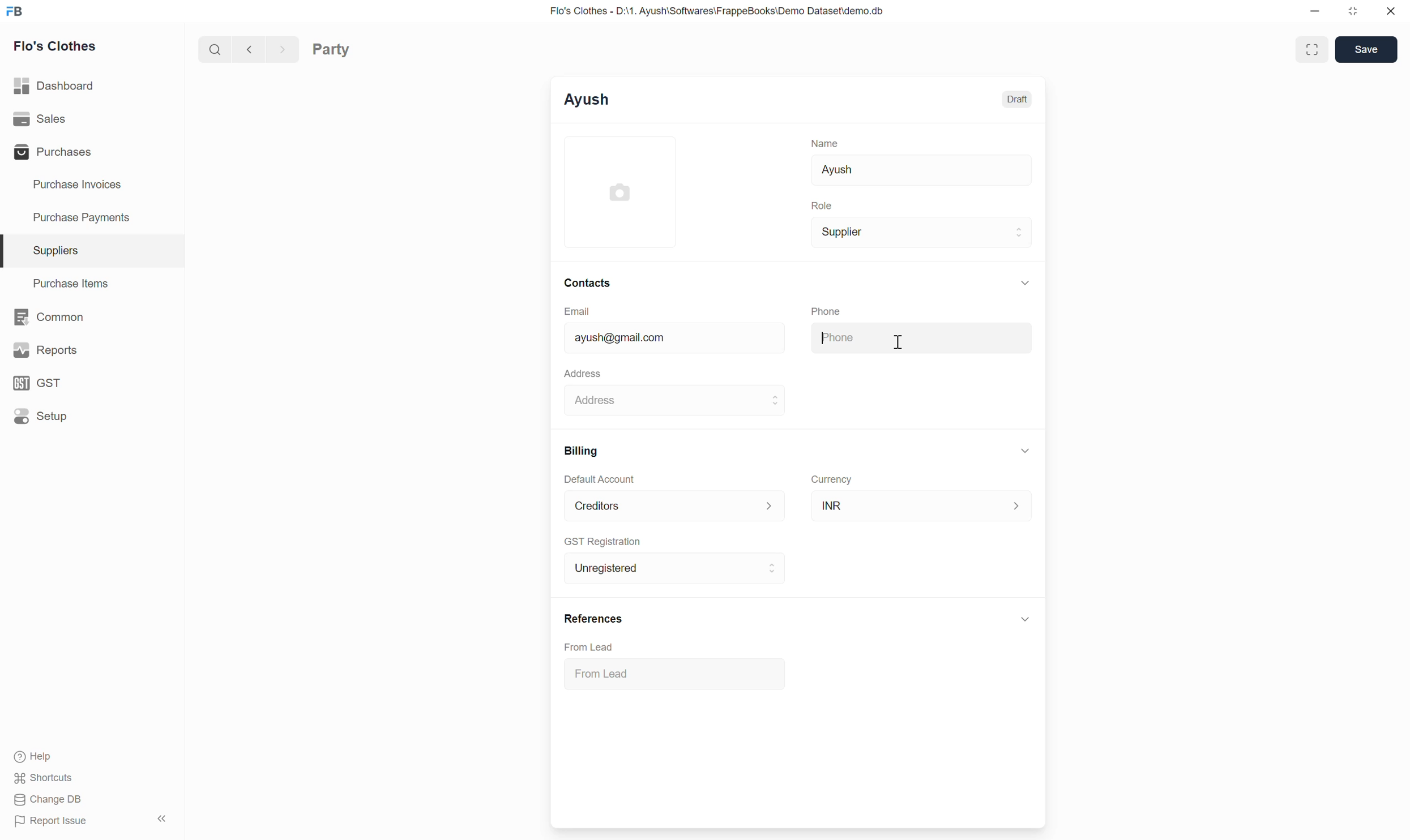  What do you see at coordinates (577, 311) in the screenshot?
I see `Email` at bounding box center [577, 311].